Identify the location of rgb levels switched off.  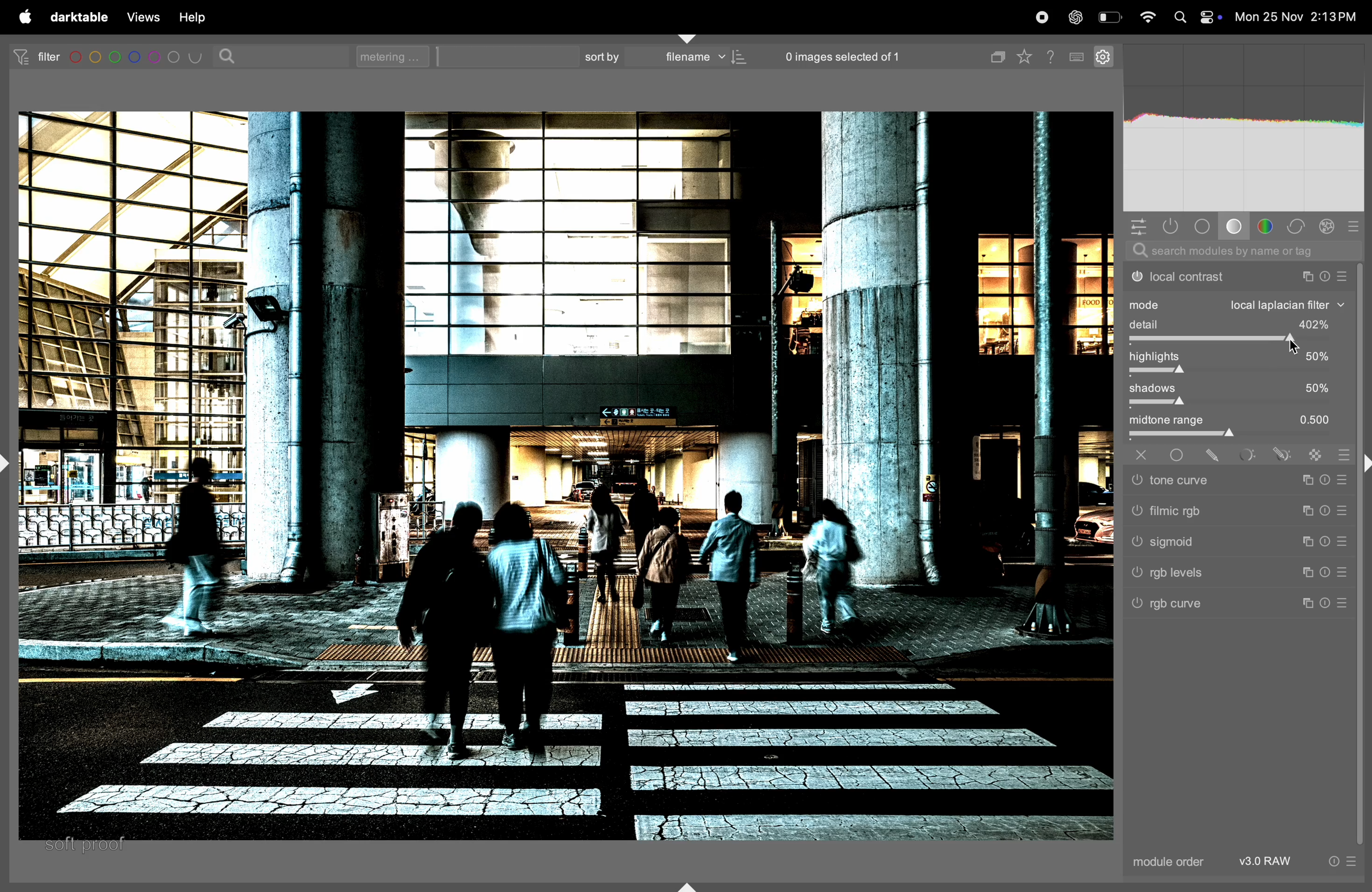
(1136, 574).